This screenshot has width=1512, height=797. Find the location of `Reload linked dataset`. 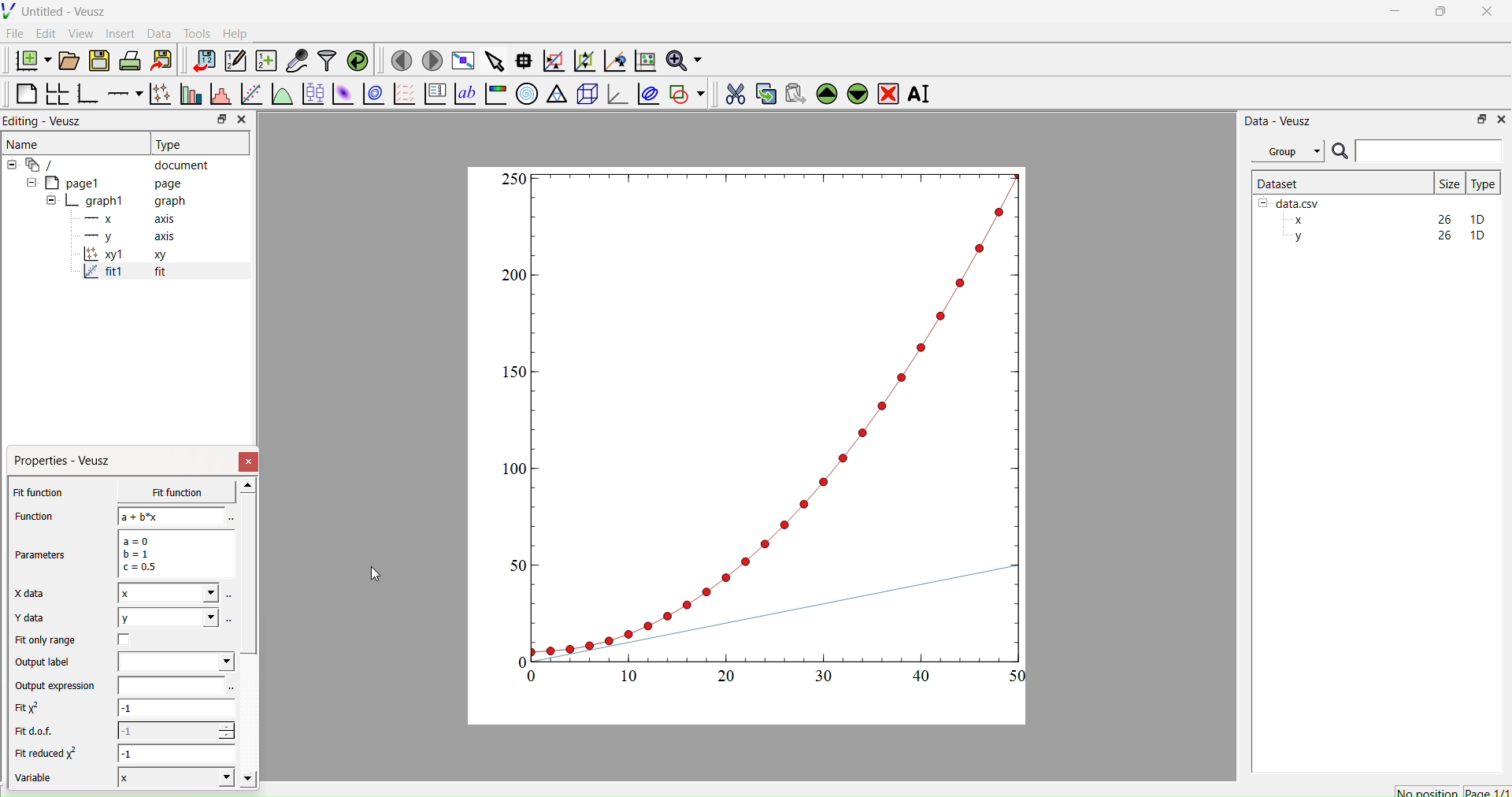

Reload linked dataset is located at coordinates (356, 59).